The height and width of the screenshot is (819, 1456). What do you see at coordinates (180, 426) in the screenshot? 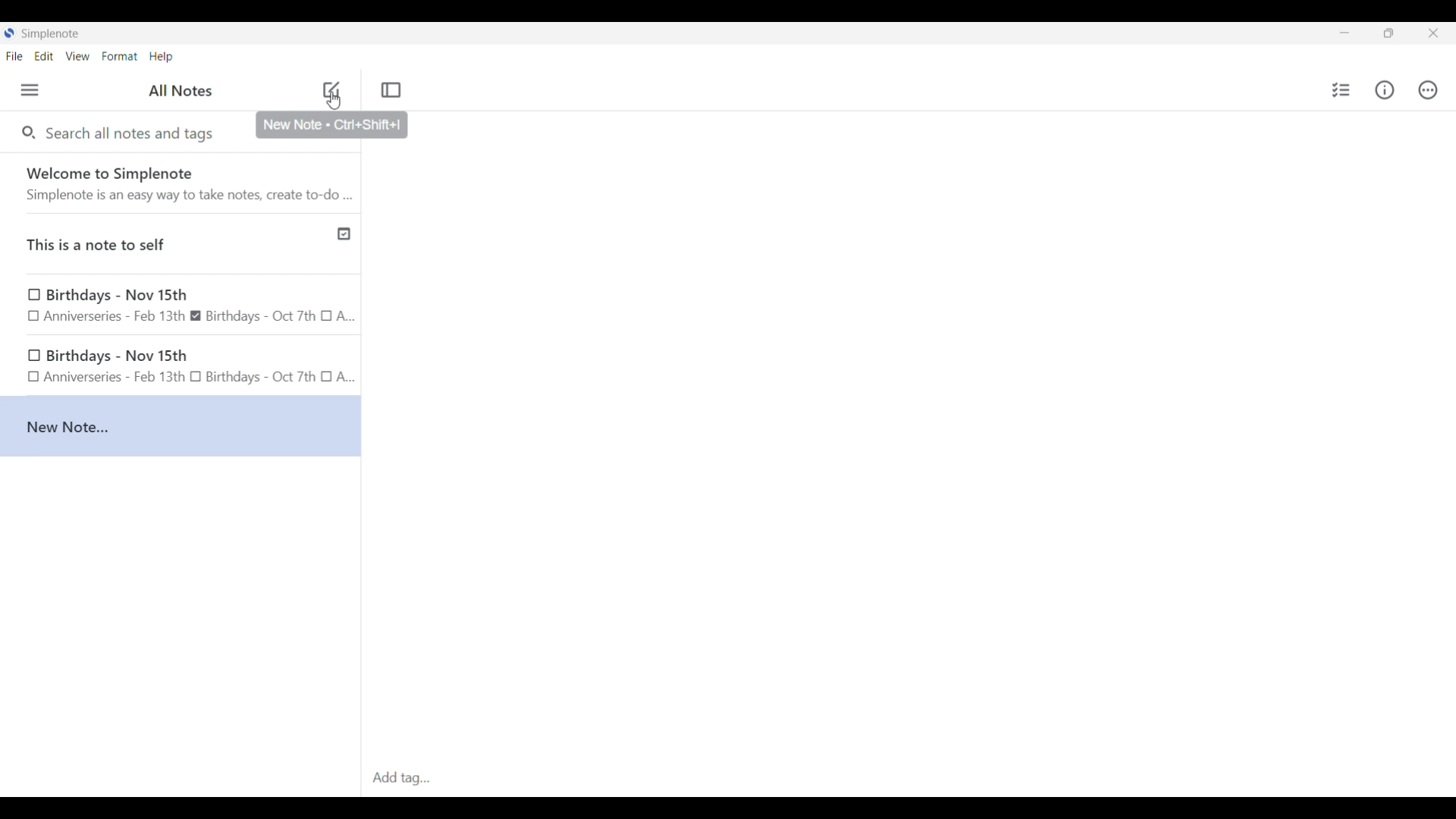
I see `New Note` at bounding box center [180, 426].